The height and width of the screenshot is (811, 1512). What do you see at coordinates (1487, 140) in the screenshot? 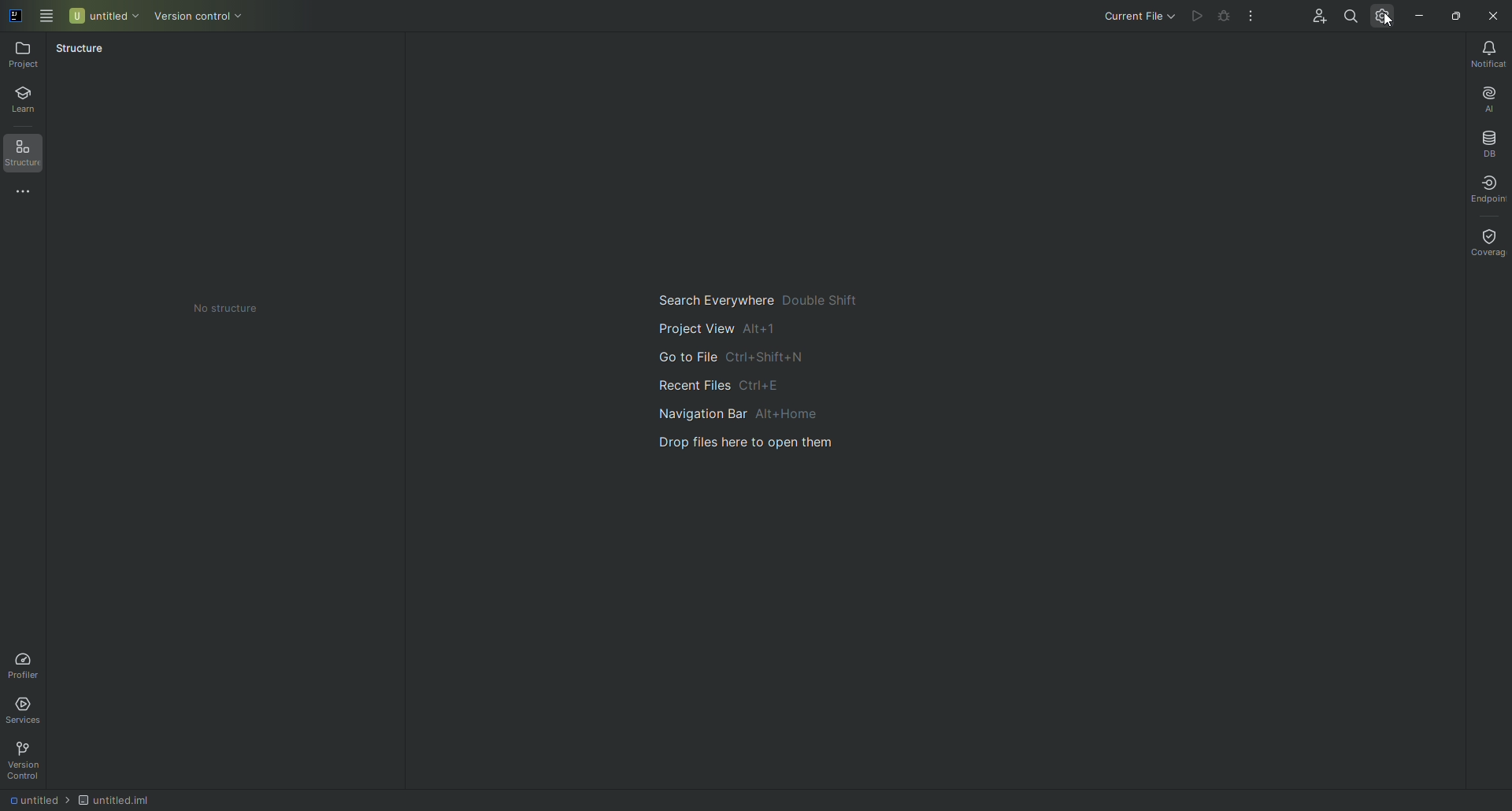
I see `Database` at bounding box center [1487, 140].